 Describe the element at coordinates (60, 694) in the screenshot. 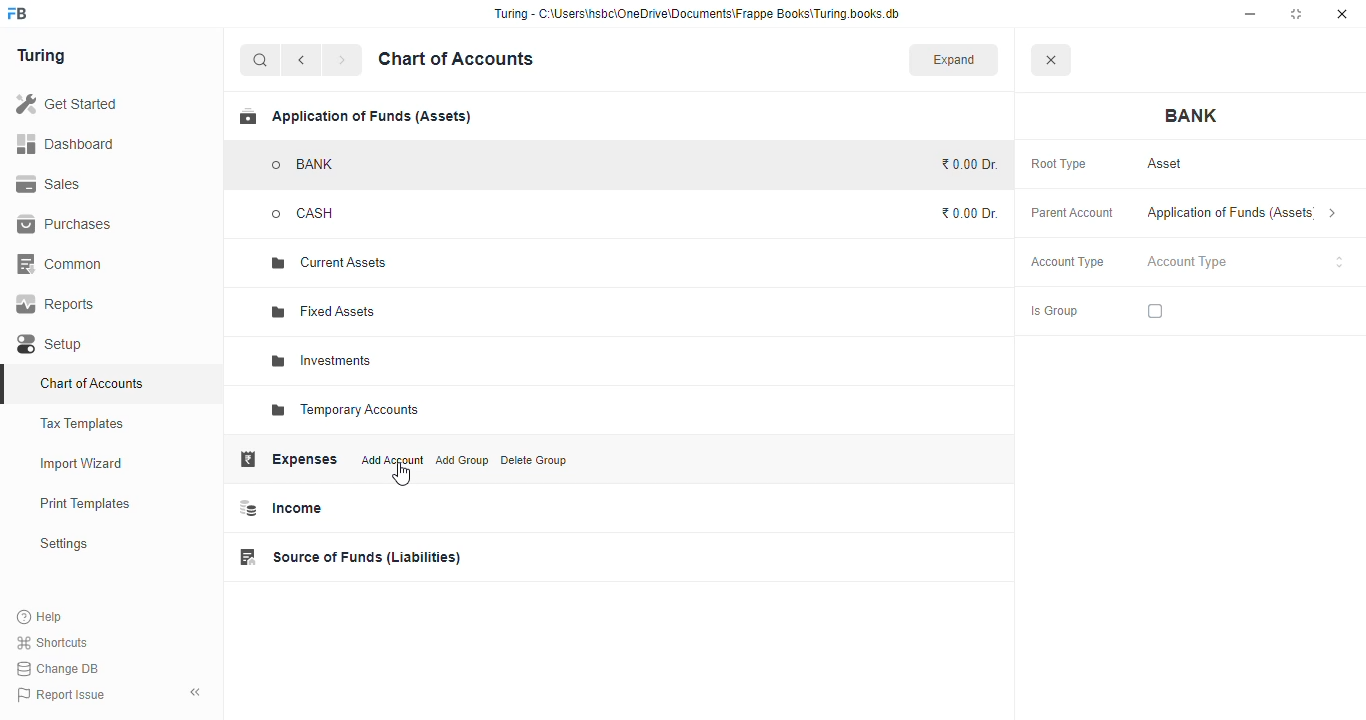

I see `report issue` at that location.